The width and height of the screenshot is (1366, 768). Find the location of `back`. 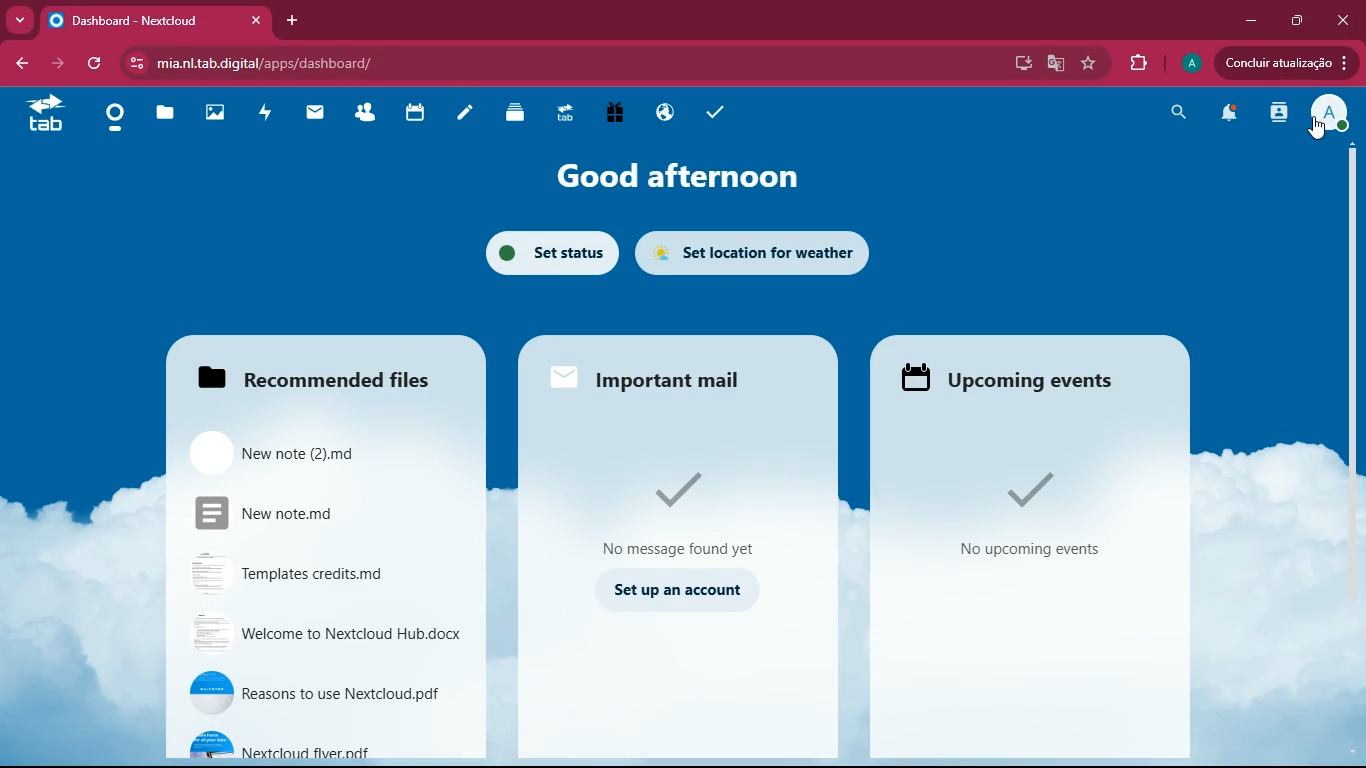

back is located at coordinates (18, 61).